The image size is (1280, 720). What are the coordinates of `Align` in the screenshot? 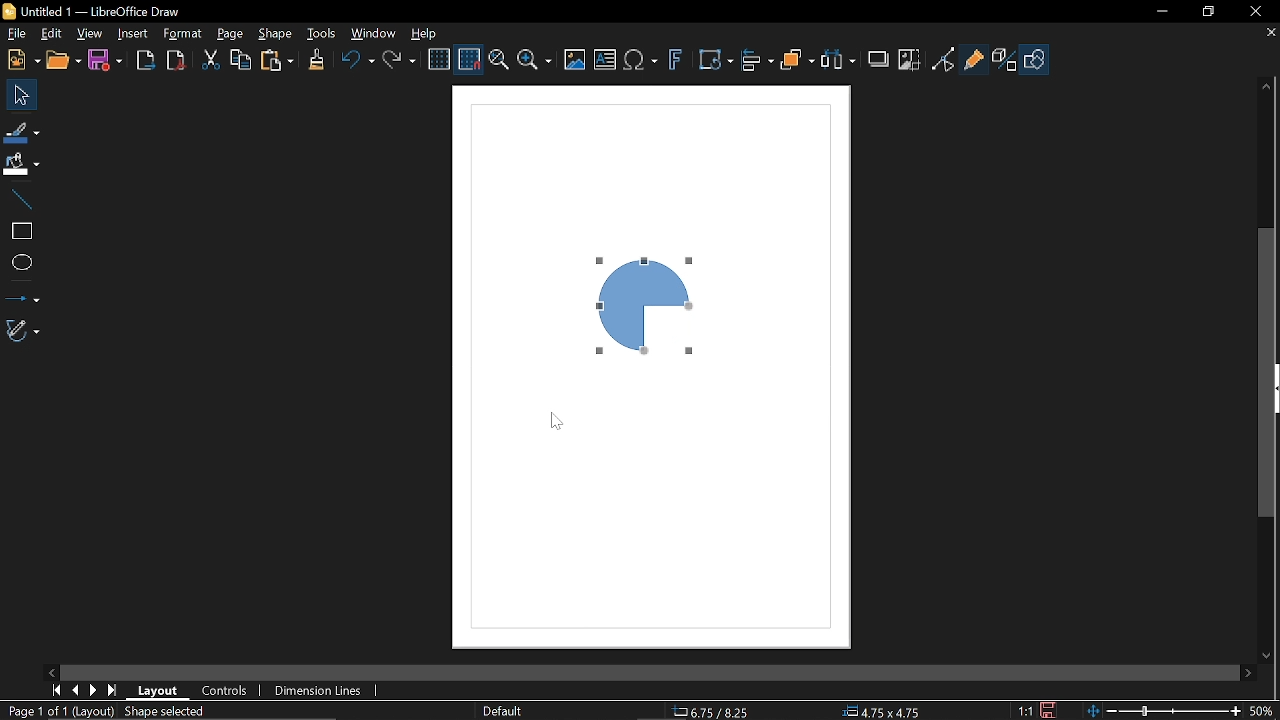 It's located at (757, 61).